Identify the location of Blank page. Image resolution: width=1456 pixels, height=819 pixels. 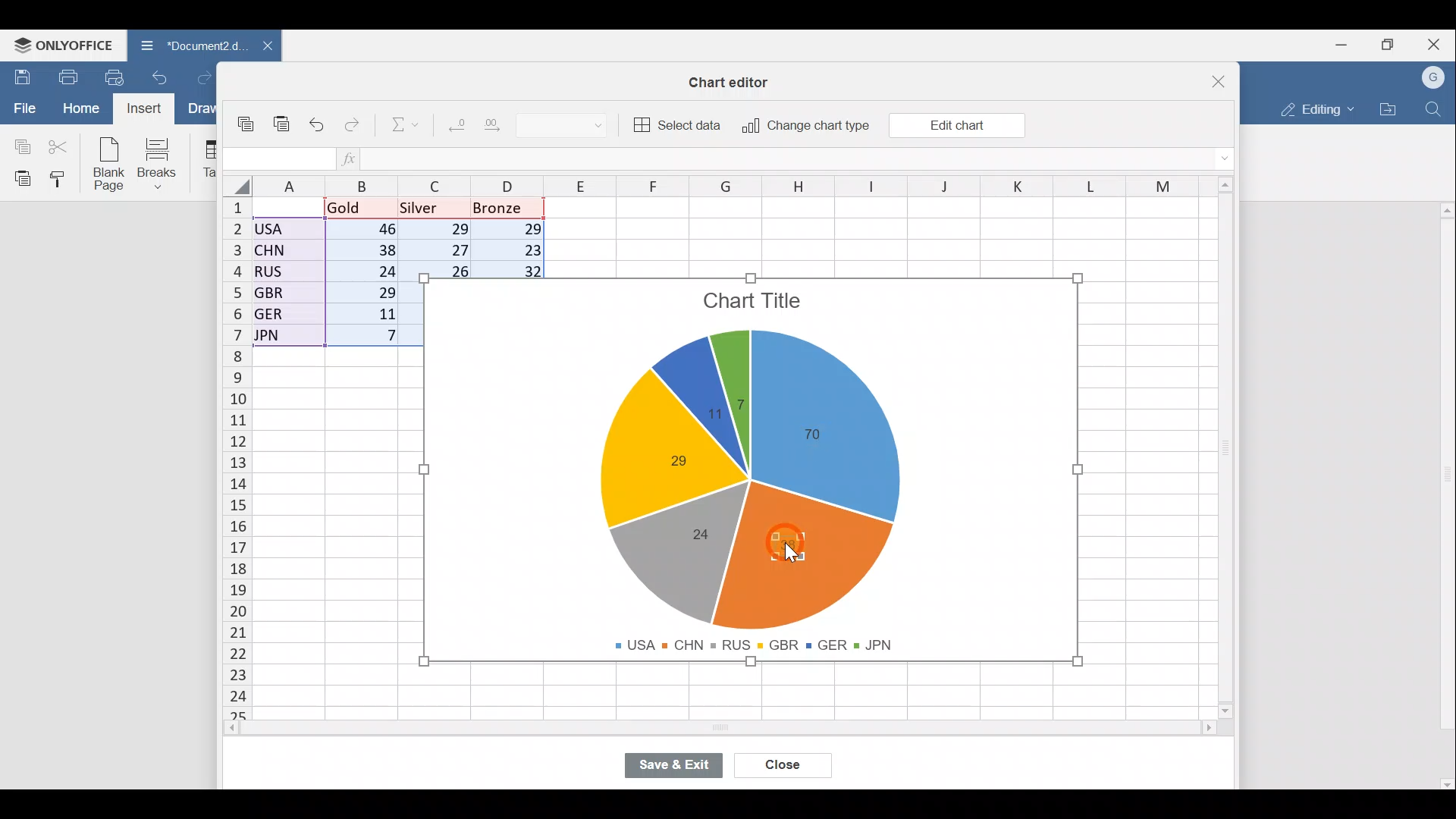
(105, 162).